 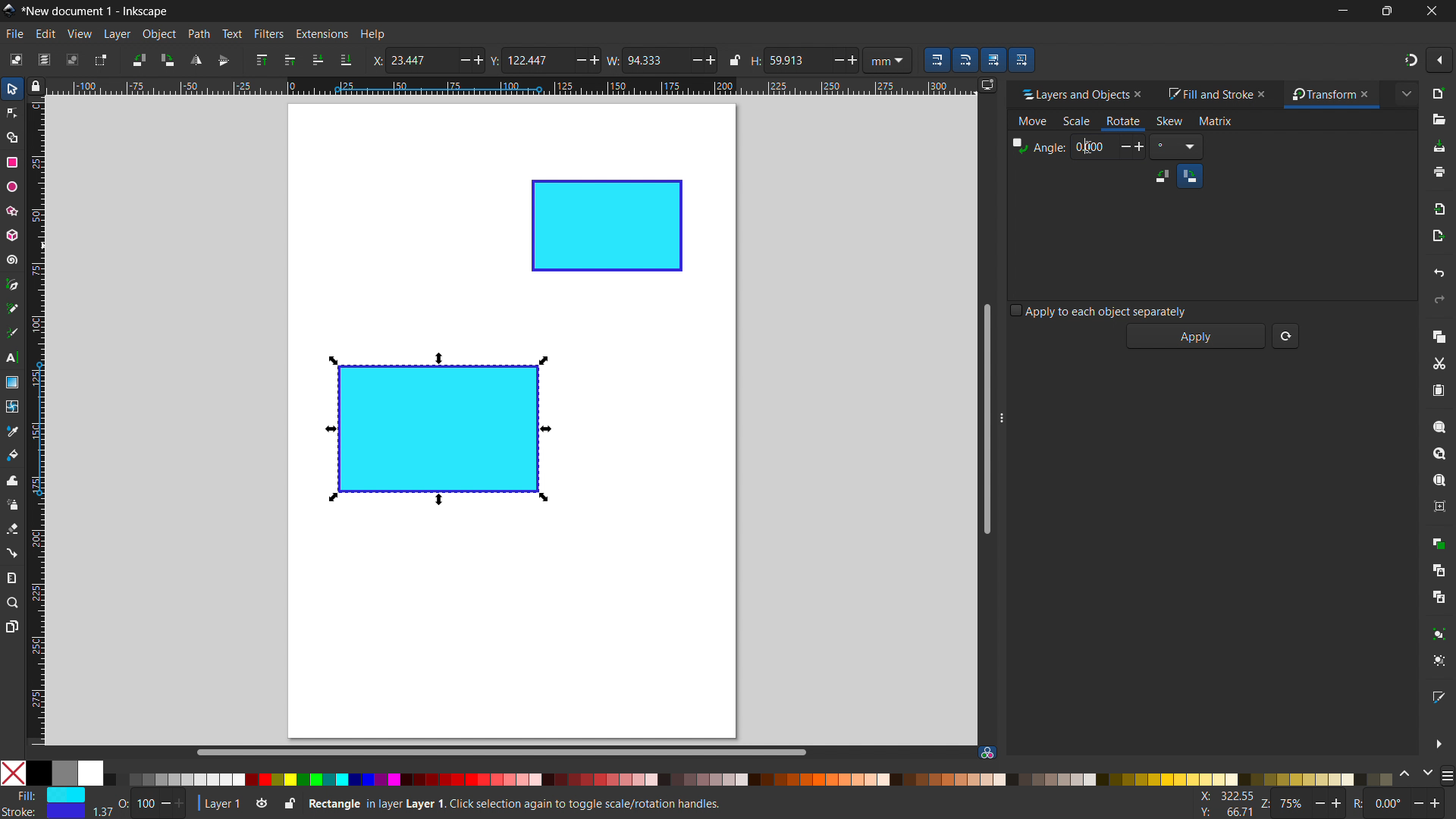 What do you see at coordinates (937, 60) in the screenshot?
I see `when scaling objects, scale the stroke width by same proportion` at bounding box center [937, 60].